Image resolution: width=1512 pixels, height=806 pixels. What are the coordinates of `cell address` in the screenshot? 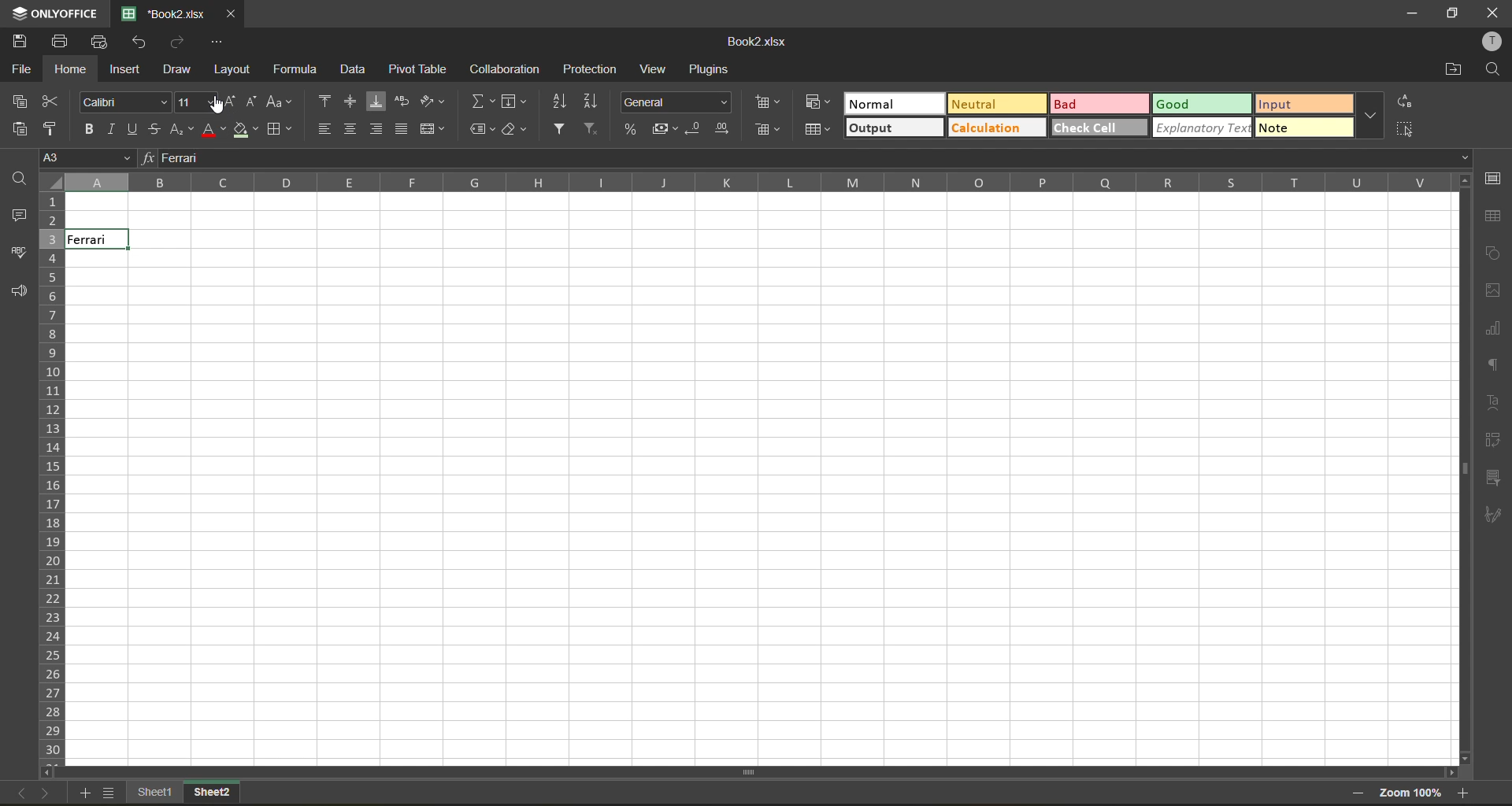 It's located at (87, 157).